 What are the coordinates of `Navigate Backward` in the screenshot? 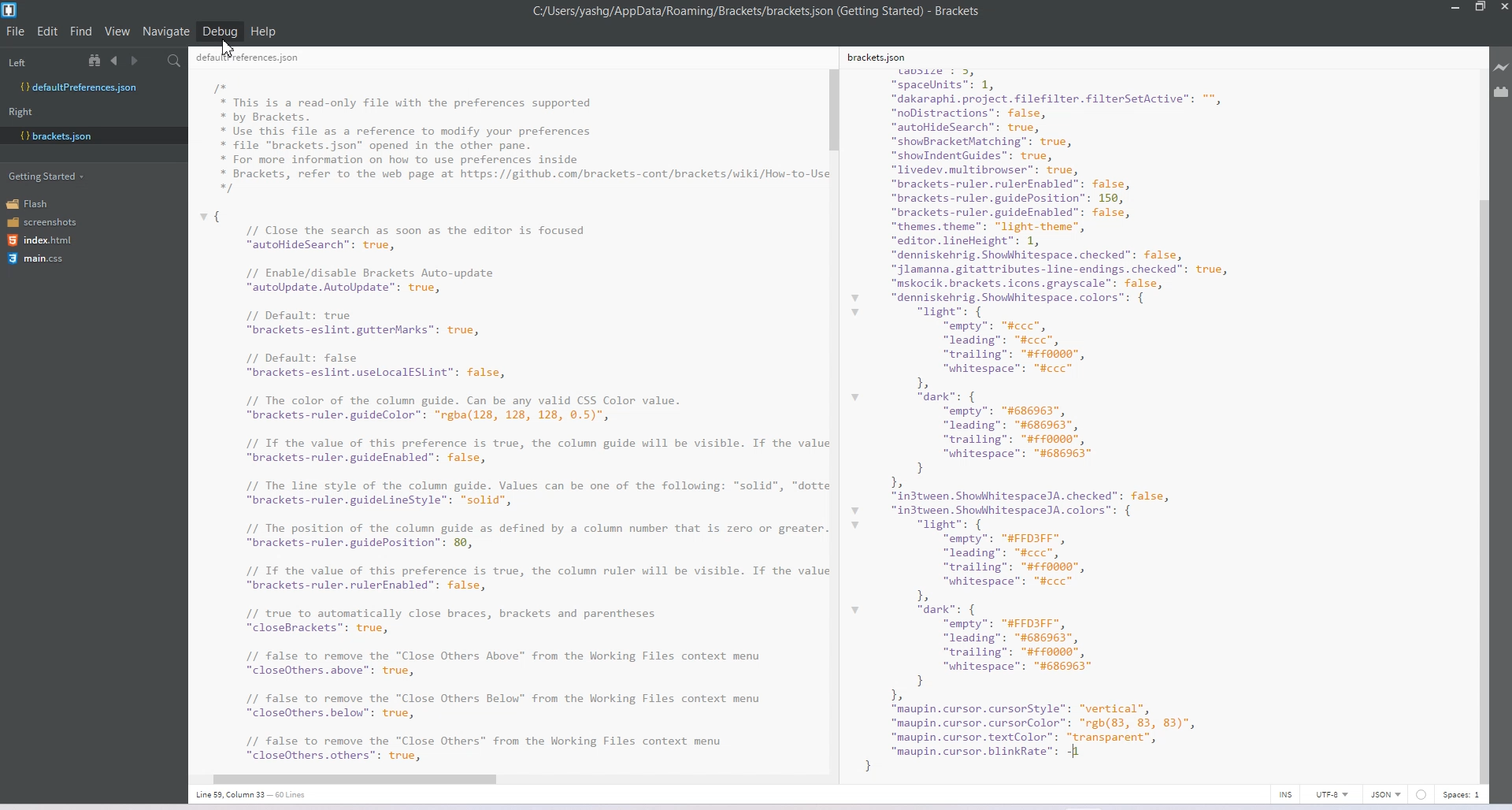 It's located at (117, 60).